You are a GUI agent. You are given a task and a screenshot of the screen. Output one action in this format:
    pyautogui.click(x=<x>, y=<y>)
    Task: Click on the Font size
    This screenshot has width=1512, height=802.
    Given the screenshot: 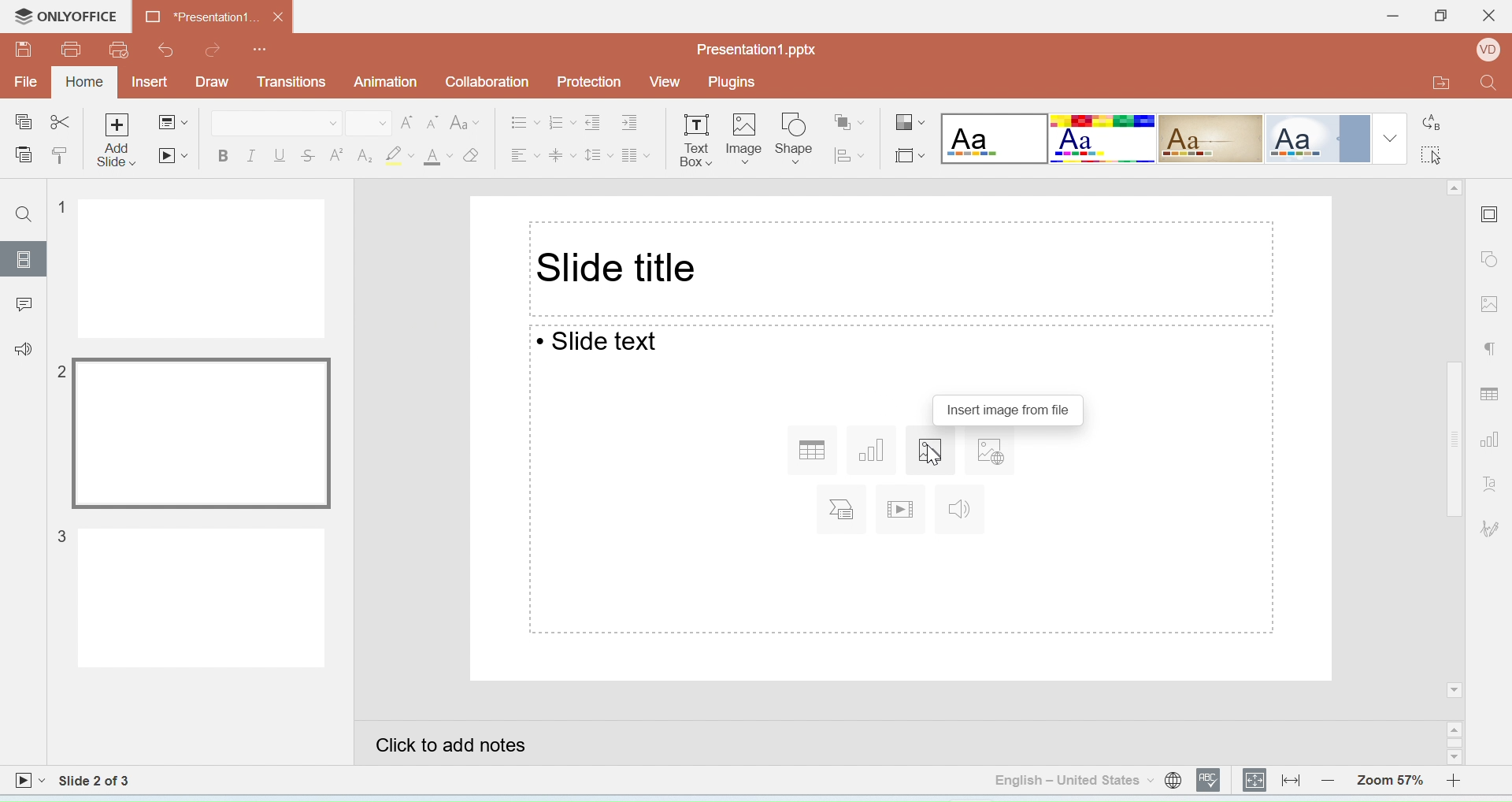 What is the action you would take?
    pyautogui.click(x=369, y=124)
    